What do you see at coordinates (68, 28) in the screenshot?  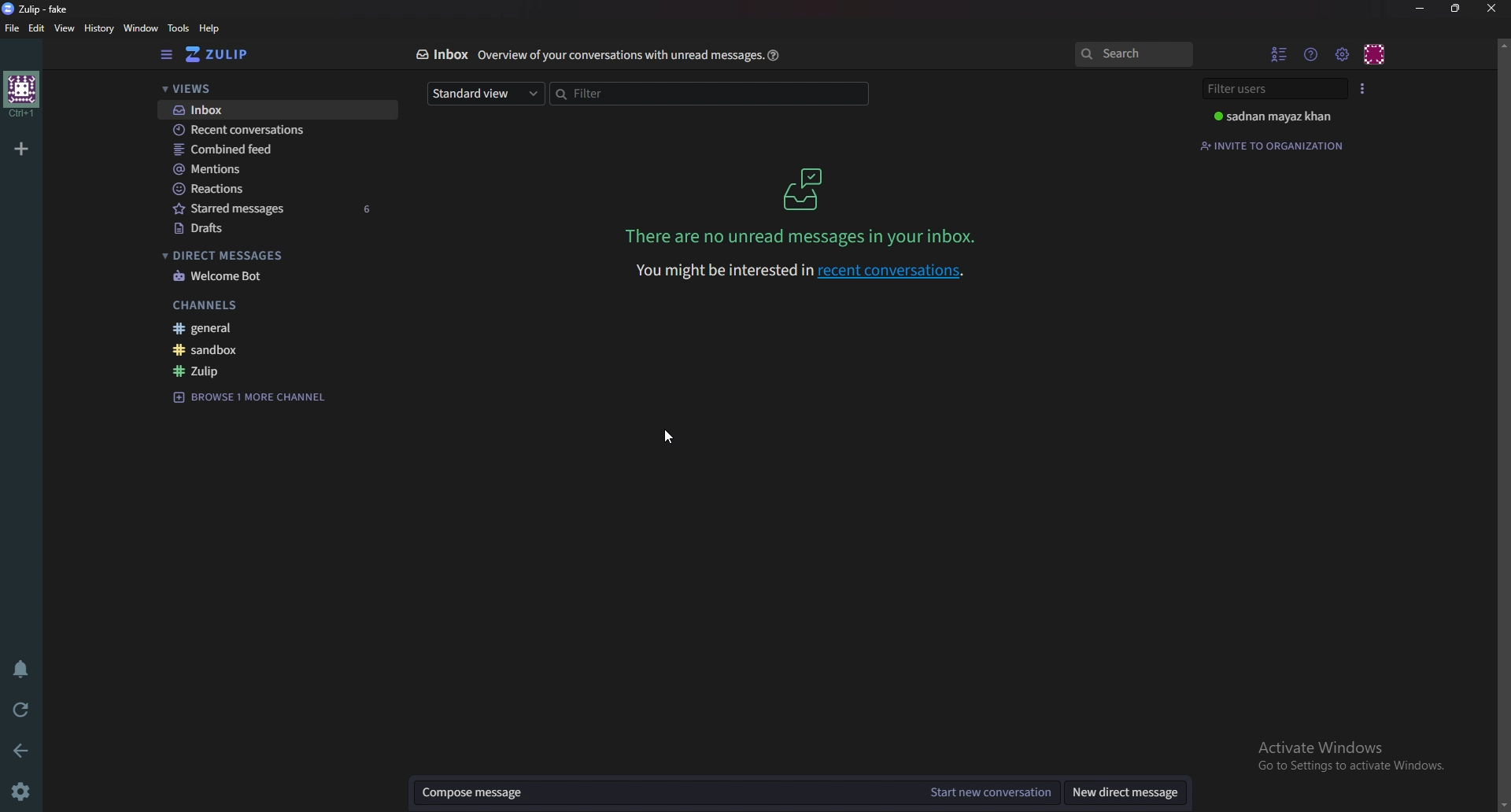 I see `view` at bounding box center [68, 28].